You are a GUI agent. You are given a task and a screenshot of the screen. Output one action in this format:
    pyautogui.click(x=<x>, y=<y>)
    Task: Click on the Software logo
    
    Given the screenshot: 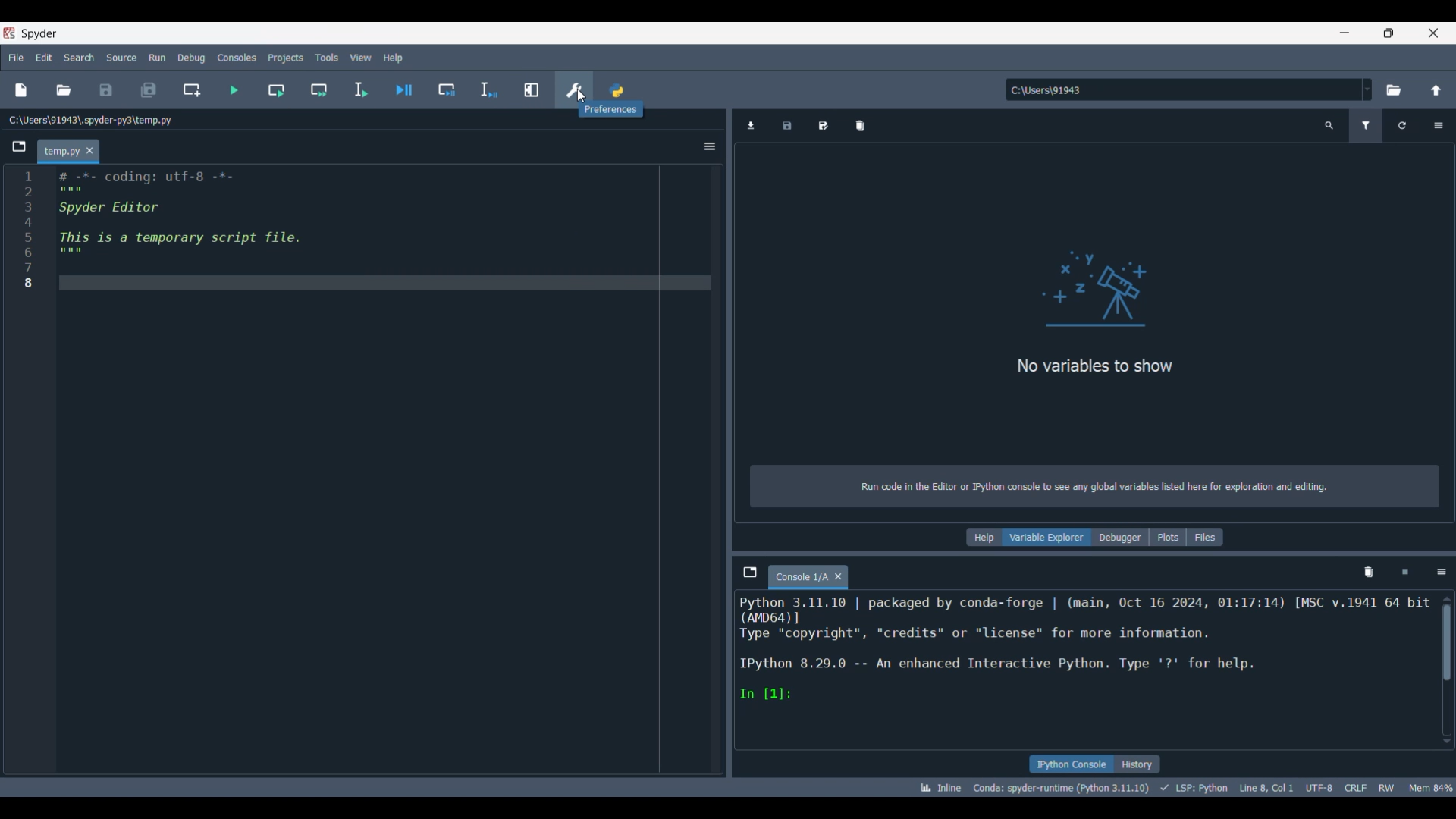 What is the action you would take?
    pyautogui.click(x=9, y=33)
    